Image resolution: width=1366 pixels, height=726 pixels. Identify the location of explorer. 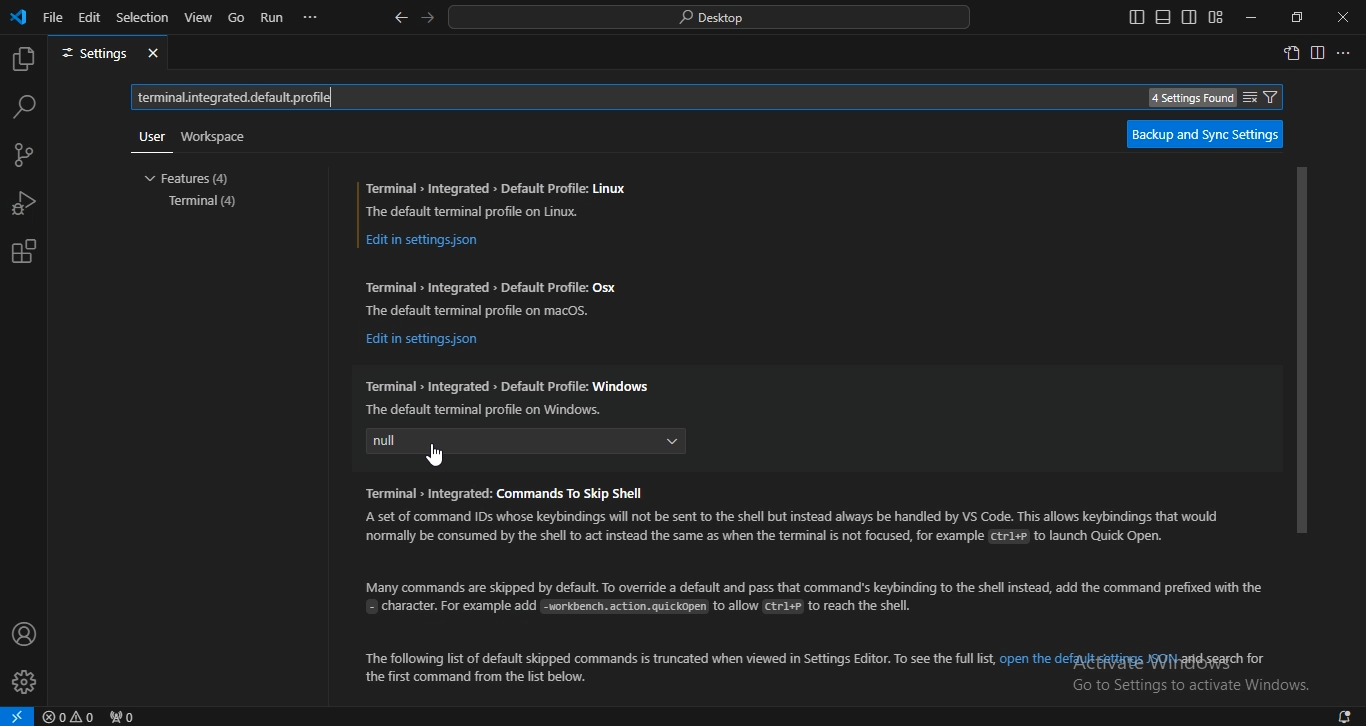
(24, 61).